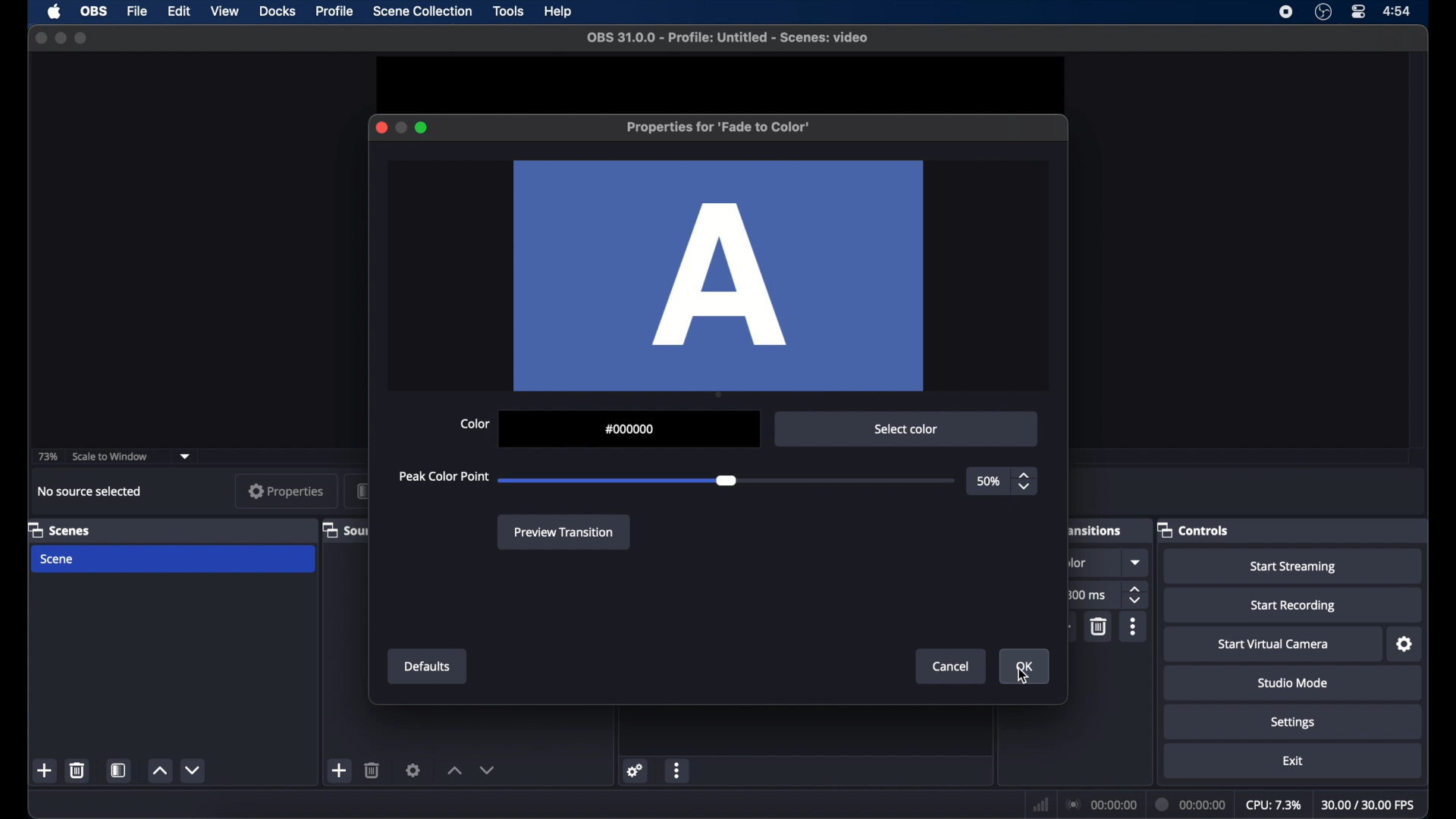 The image size is (1456, 819). What do you see at coordinates (1136, 595) in the screenshot?
I see `stepper buttons` at bounding box center [1136, 595].